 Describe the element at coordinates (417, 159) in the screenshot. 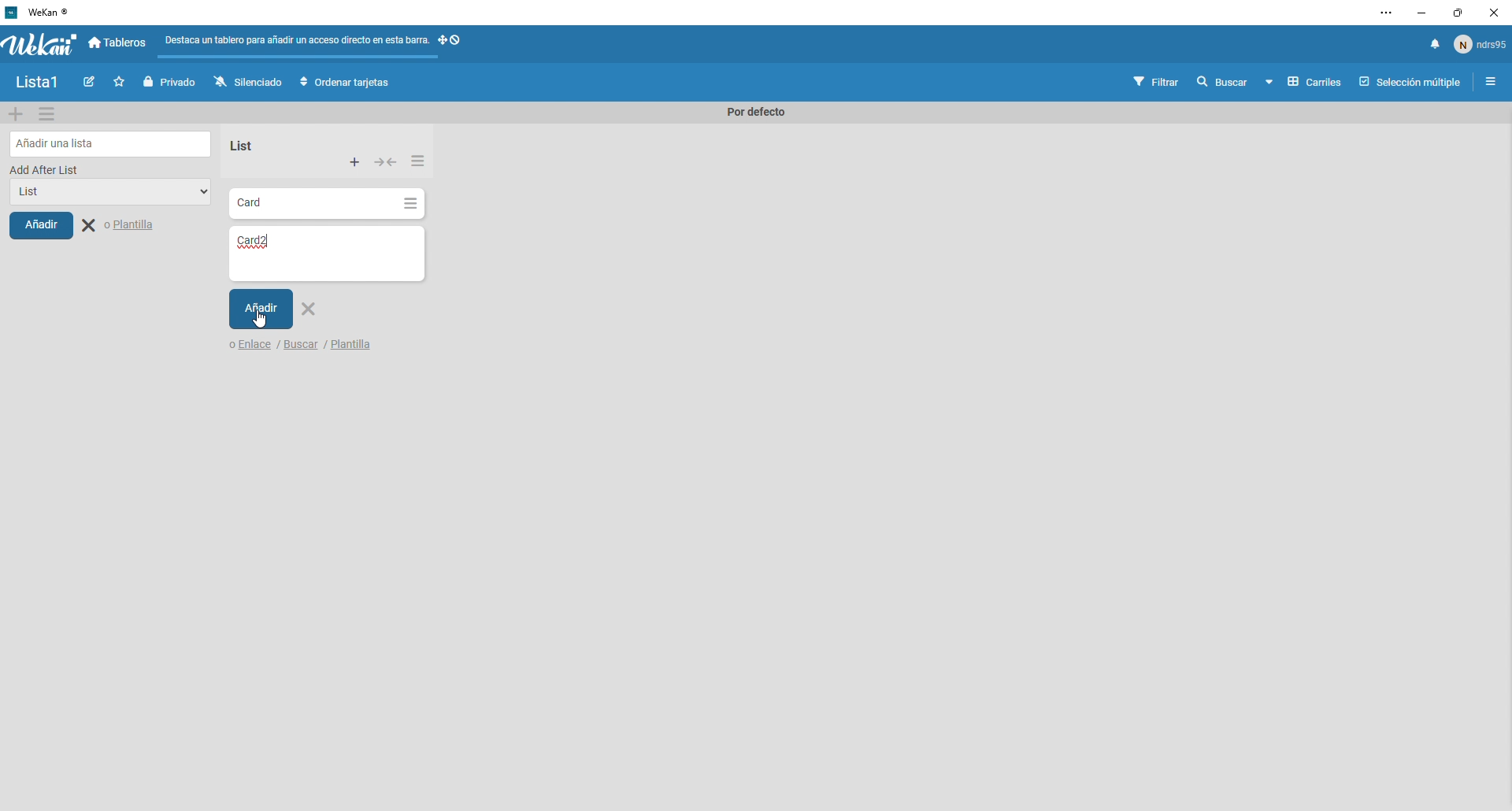

I see `More` at that location.